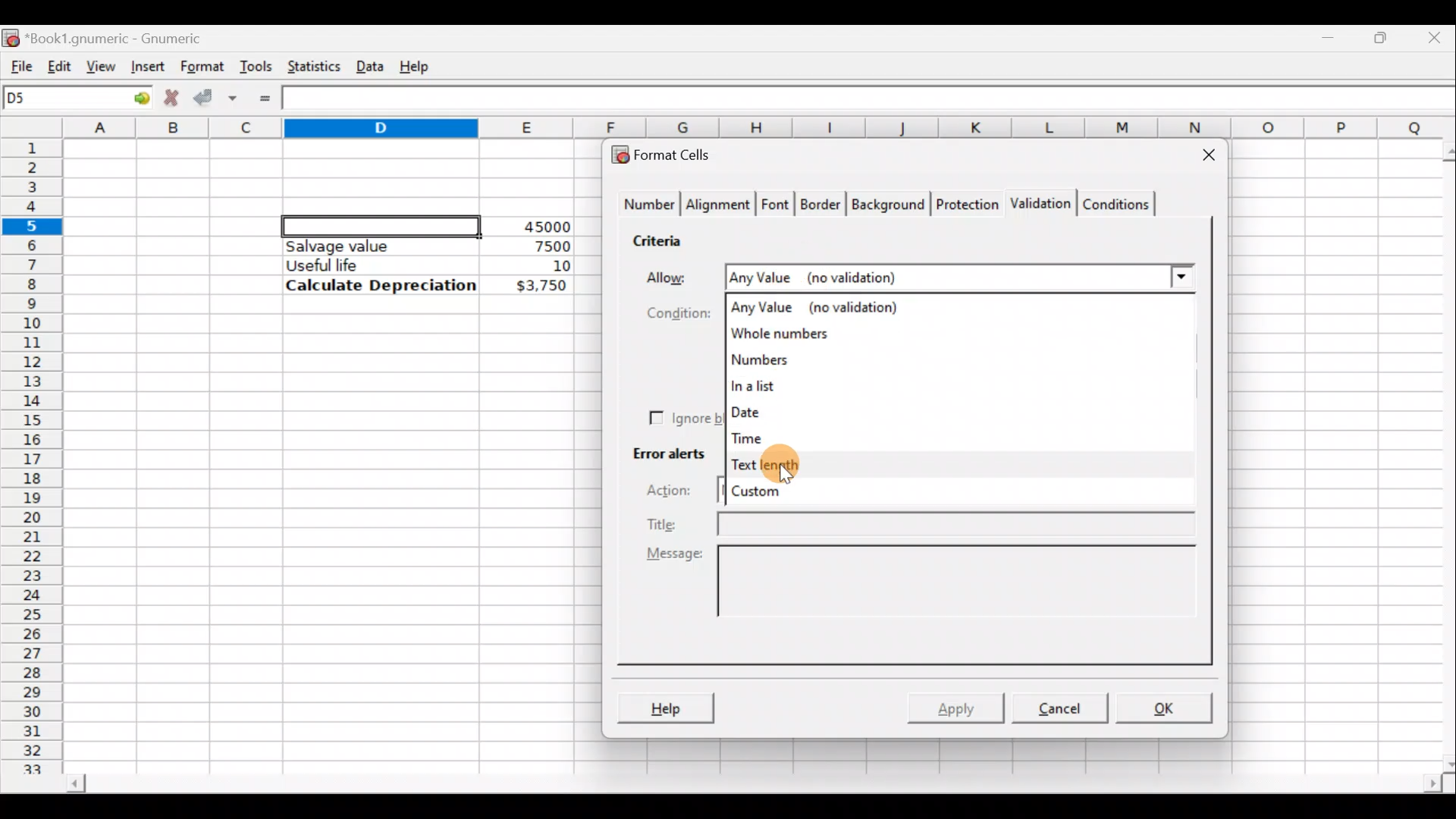 The height and width of the screenshot is (819, 1456). I want to click on 45000, so click(541, 227).